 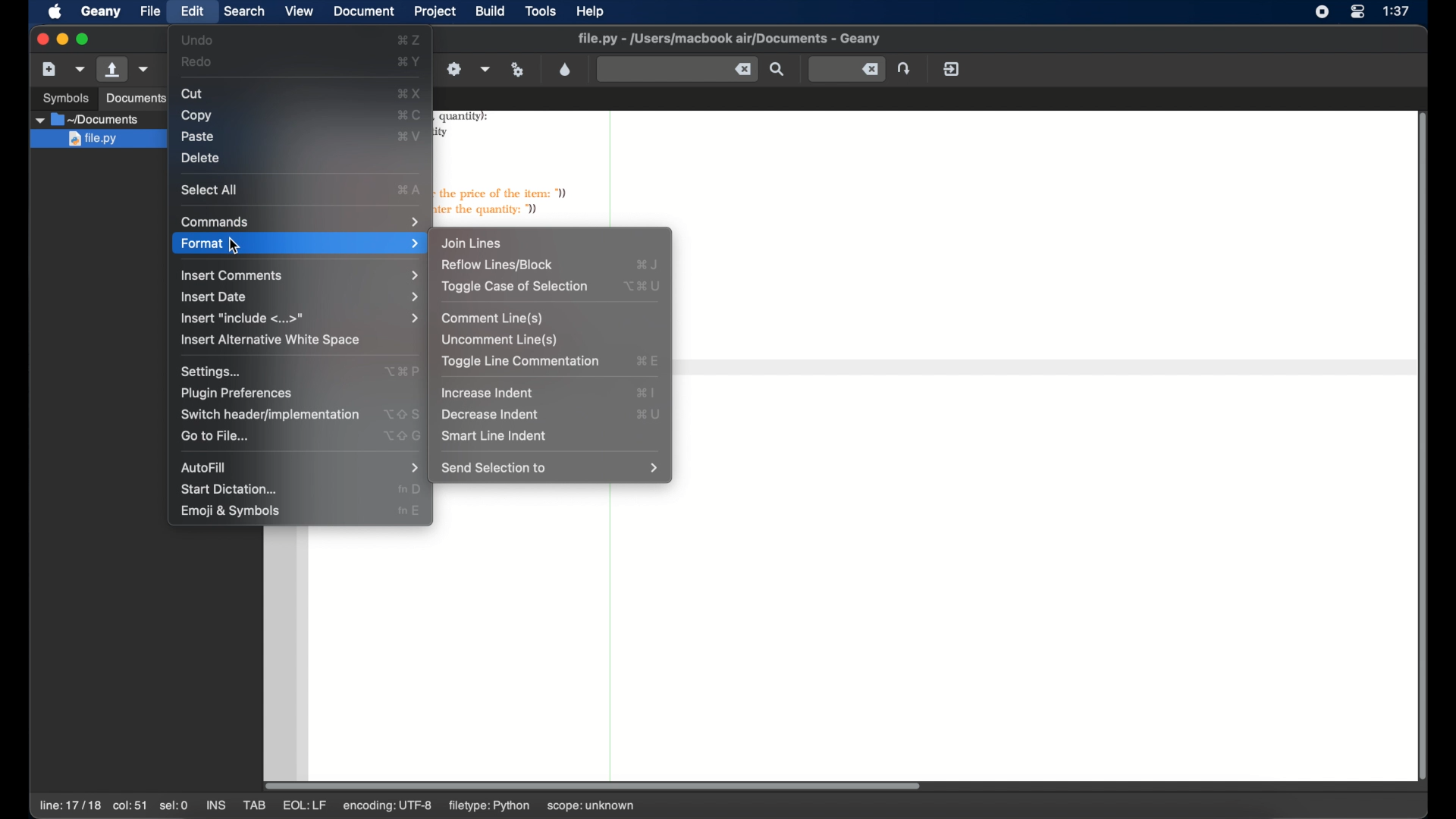 What do you see at coordinates (1417, 444) in the screenshot?
I see `scroll bar` at bounding box center [1417, 444].